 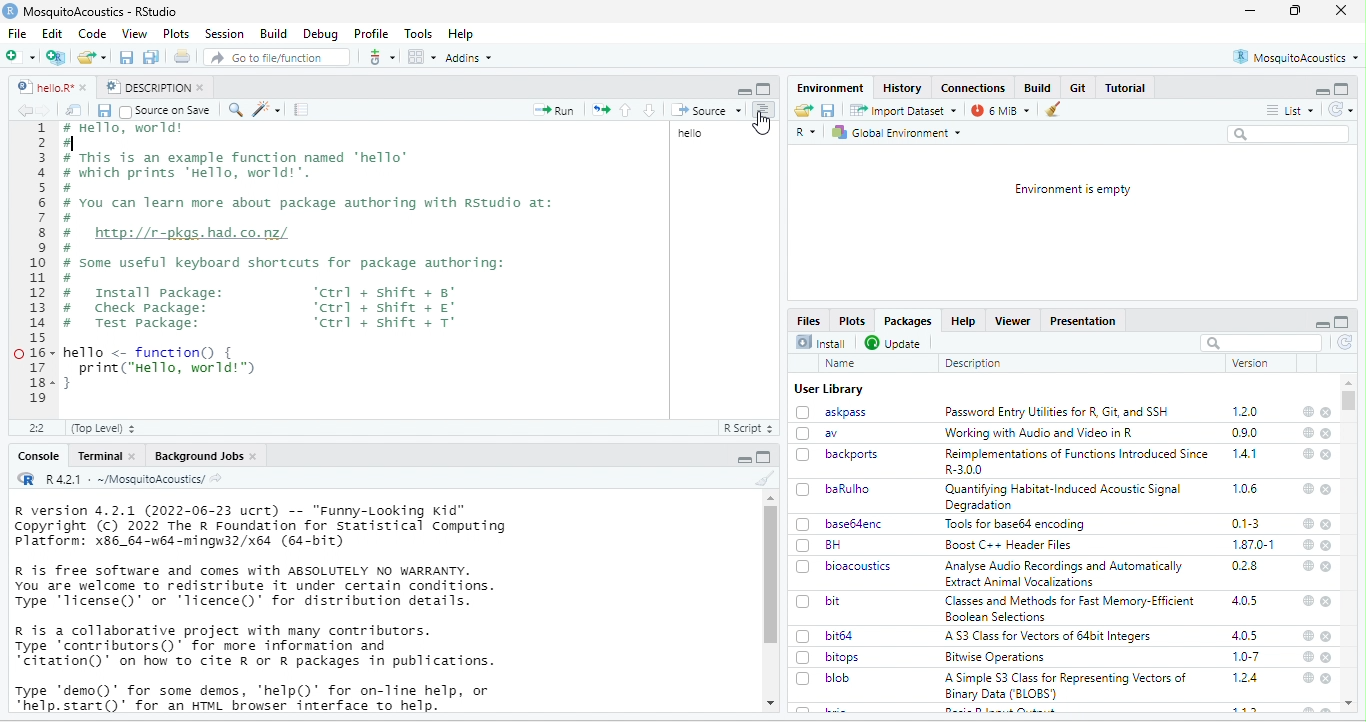 What do you see at coordinates (1052, 636) in the screenshot?
I see `‘A 53 Class for Vectors of 64bit Integers` at bounding box center [1052, 636].